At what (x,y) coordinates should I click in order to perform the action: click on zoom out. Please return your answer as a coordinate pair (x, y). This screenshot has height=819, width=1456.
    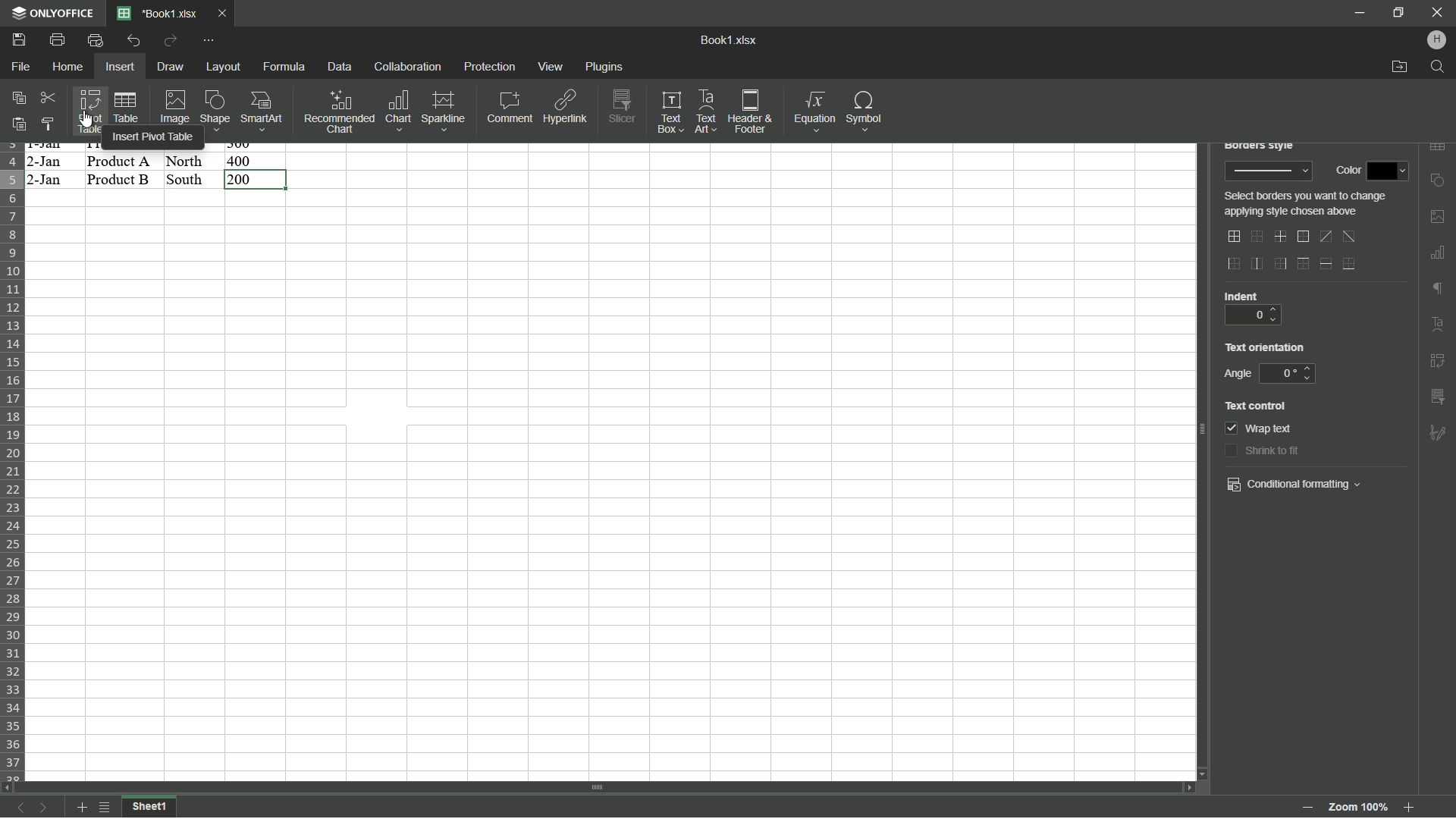
    Looking at the image, I should click on (1305, 808).